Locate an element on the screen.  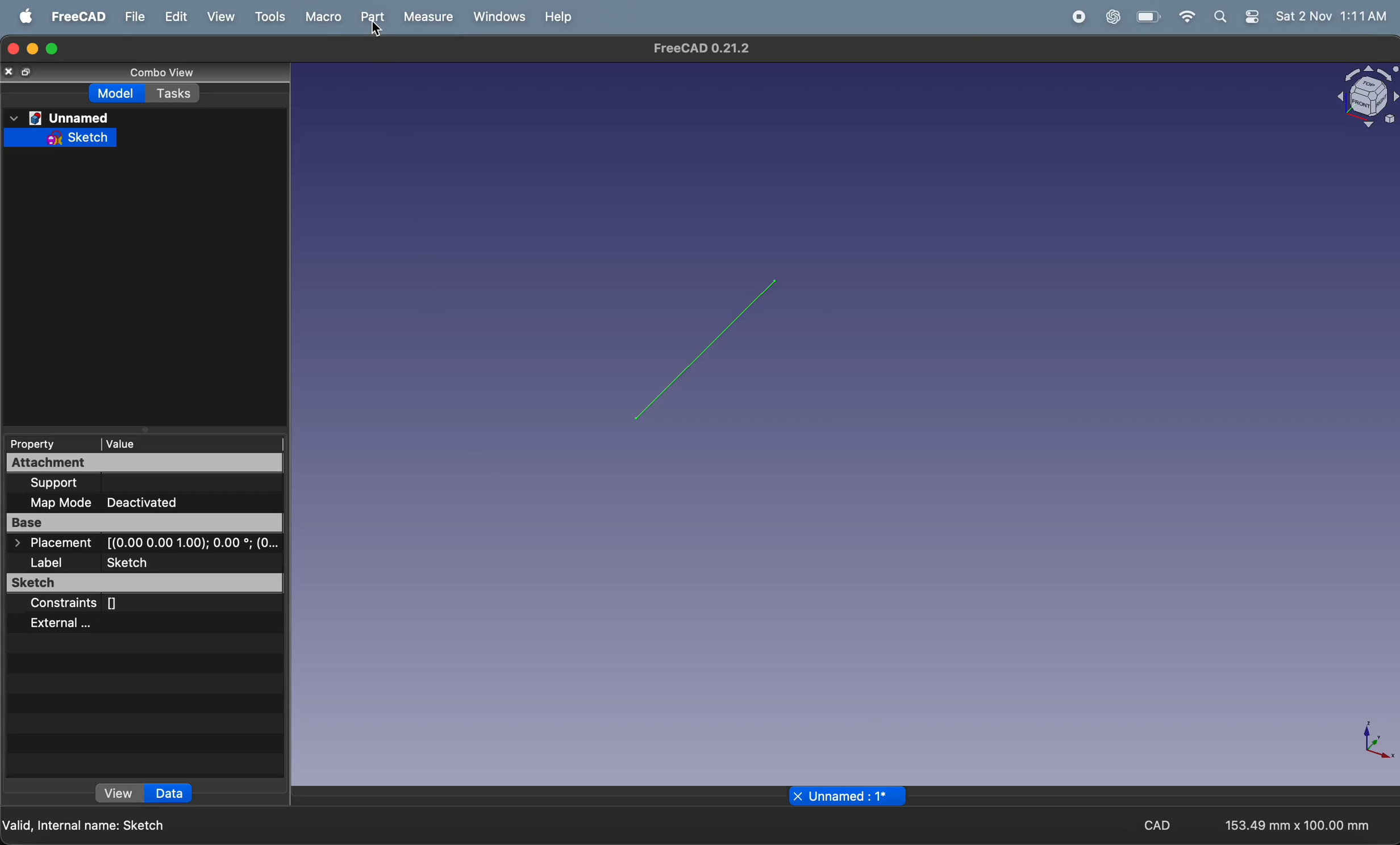
closing window is located at coordinates (12, 49).